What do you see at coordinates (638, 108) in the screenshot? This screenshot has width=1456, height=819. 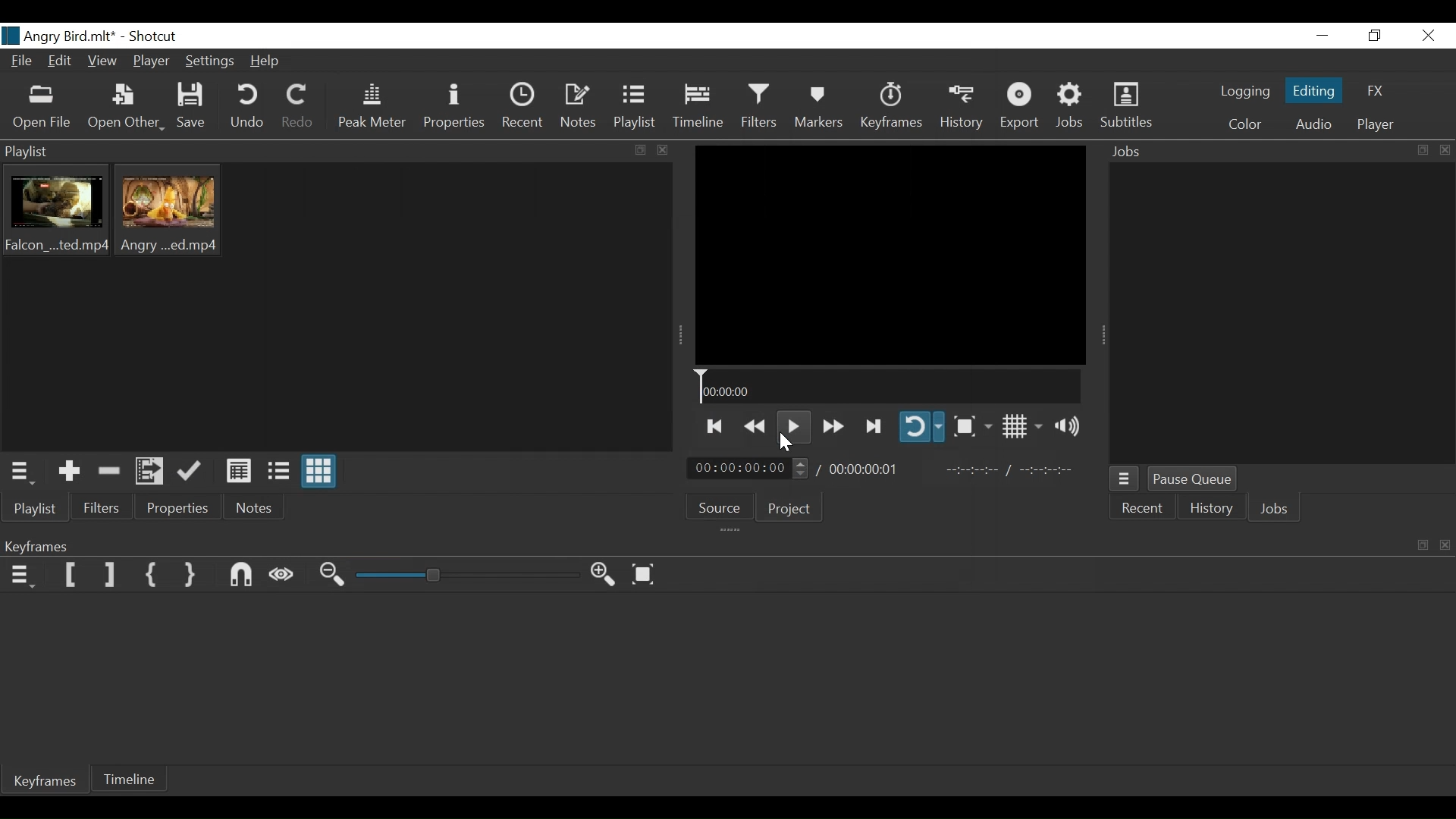 I see `Playlist` at bounding box center [638, 108].